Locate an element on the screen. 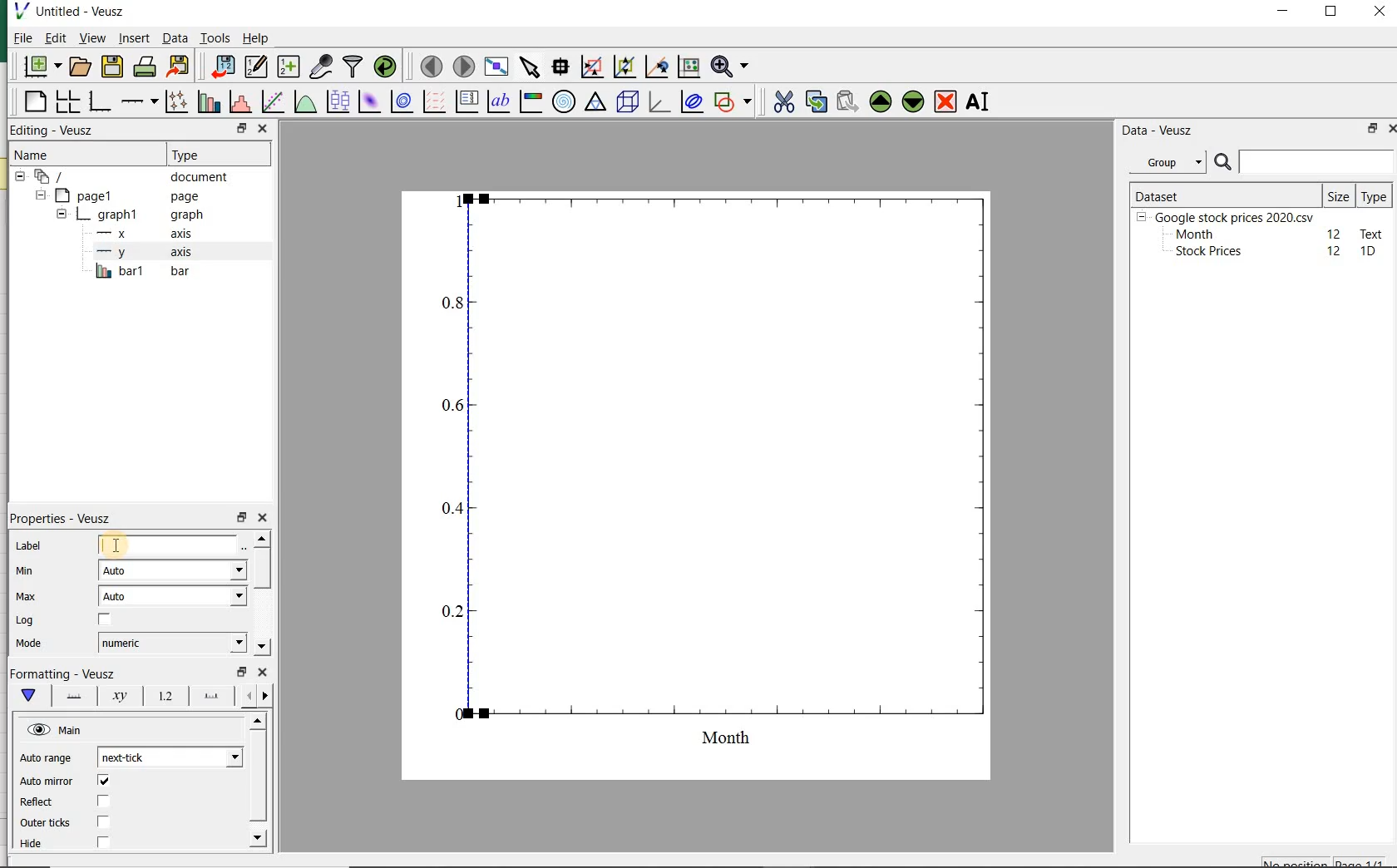 This screenshot has height=868, width=1397. print the document is located at coordinates (145, 68).